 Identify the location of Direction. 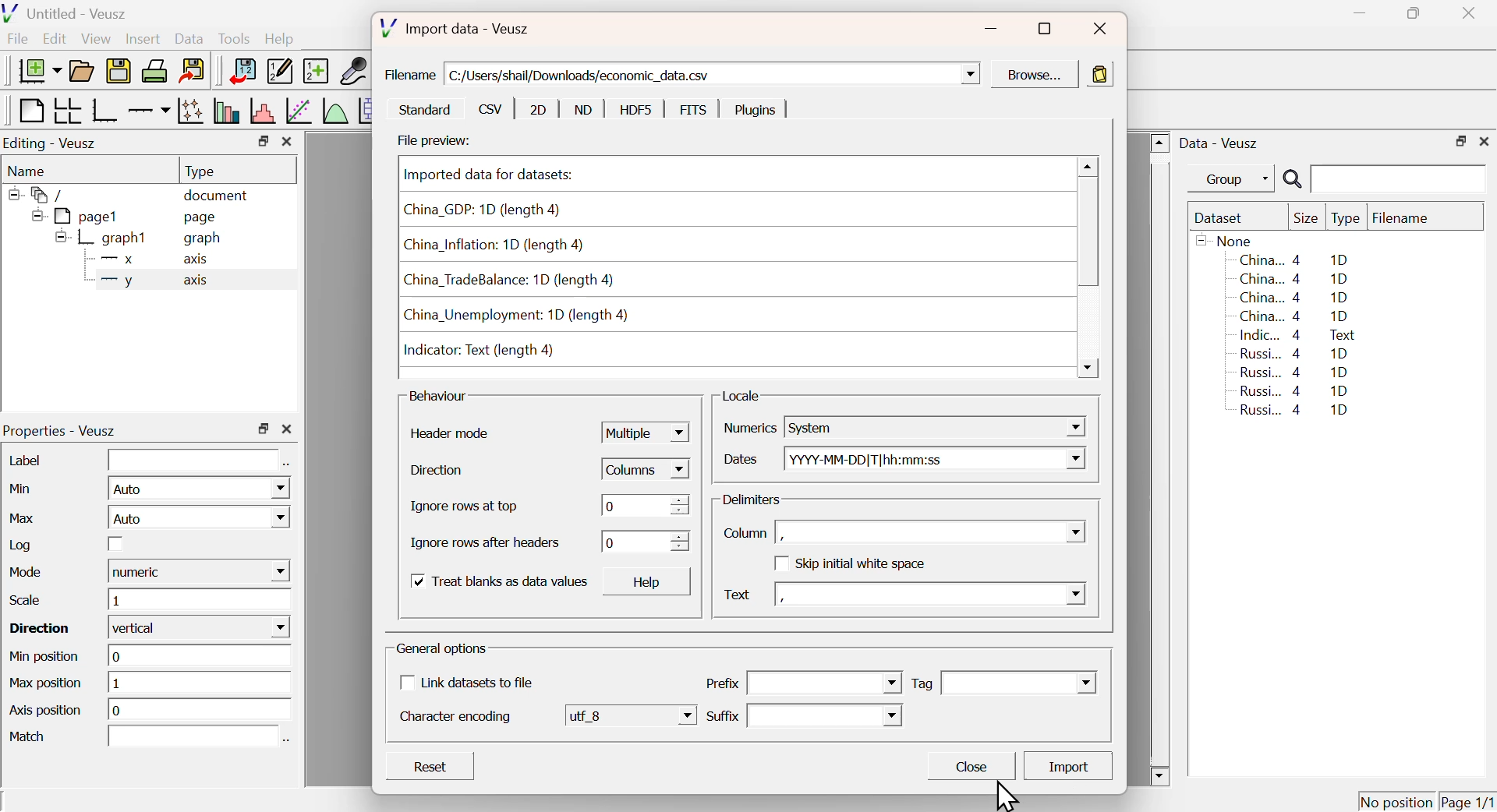
(42, 629).